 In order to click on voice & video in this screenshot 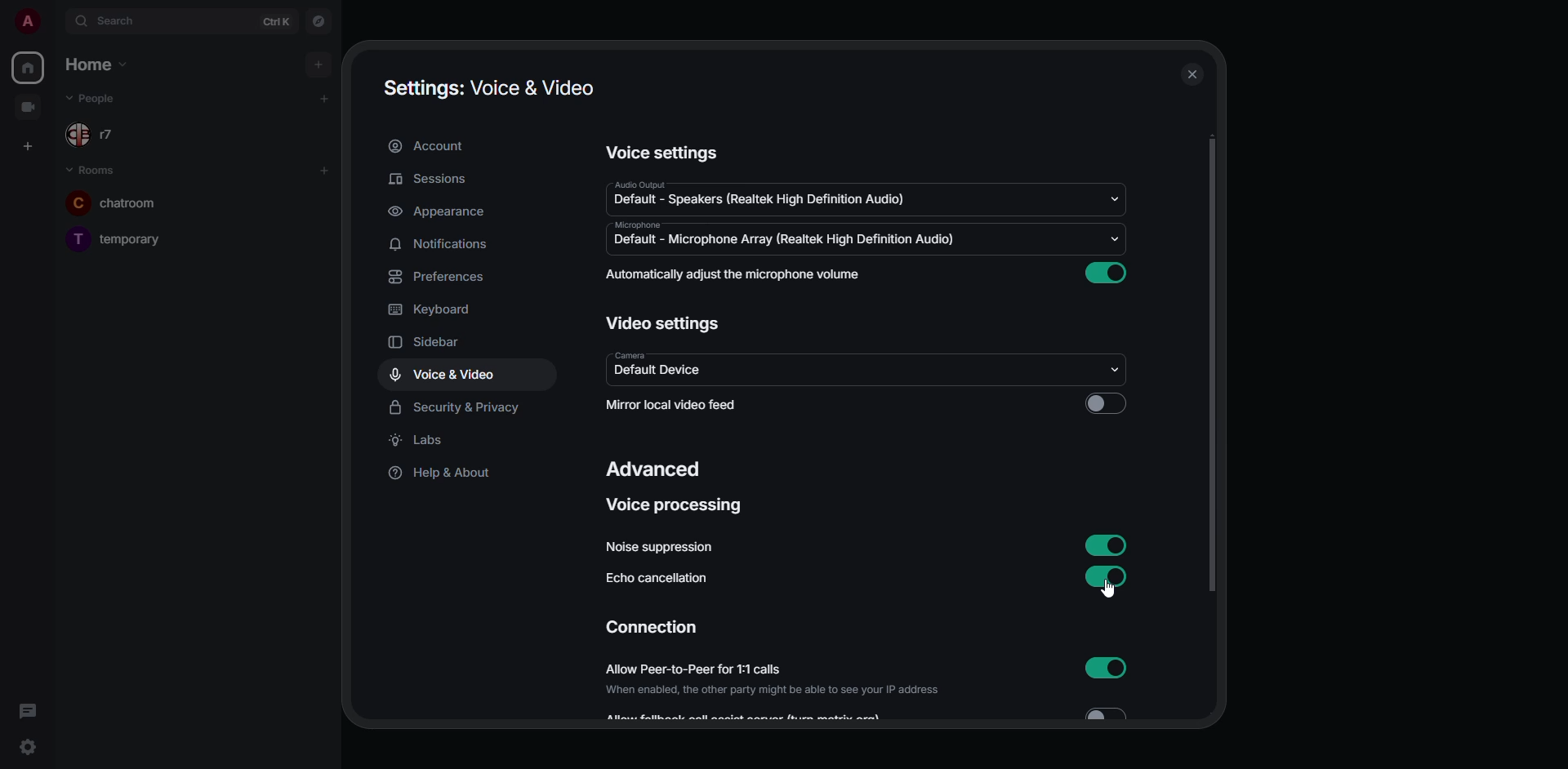, I will do `click(447, 375)`.